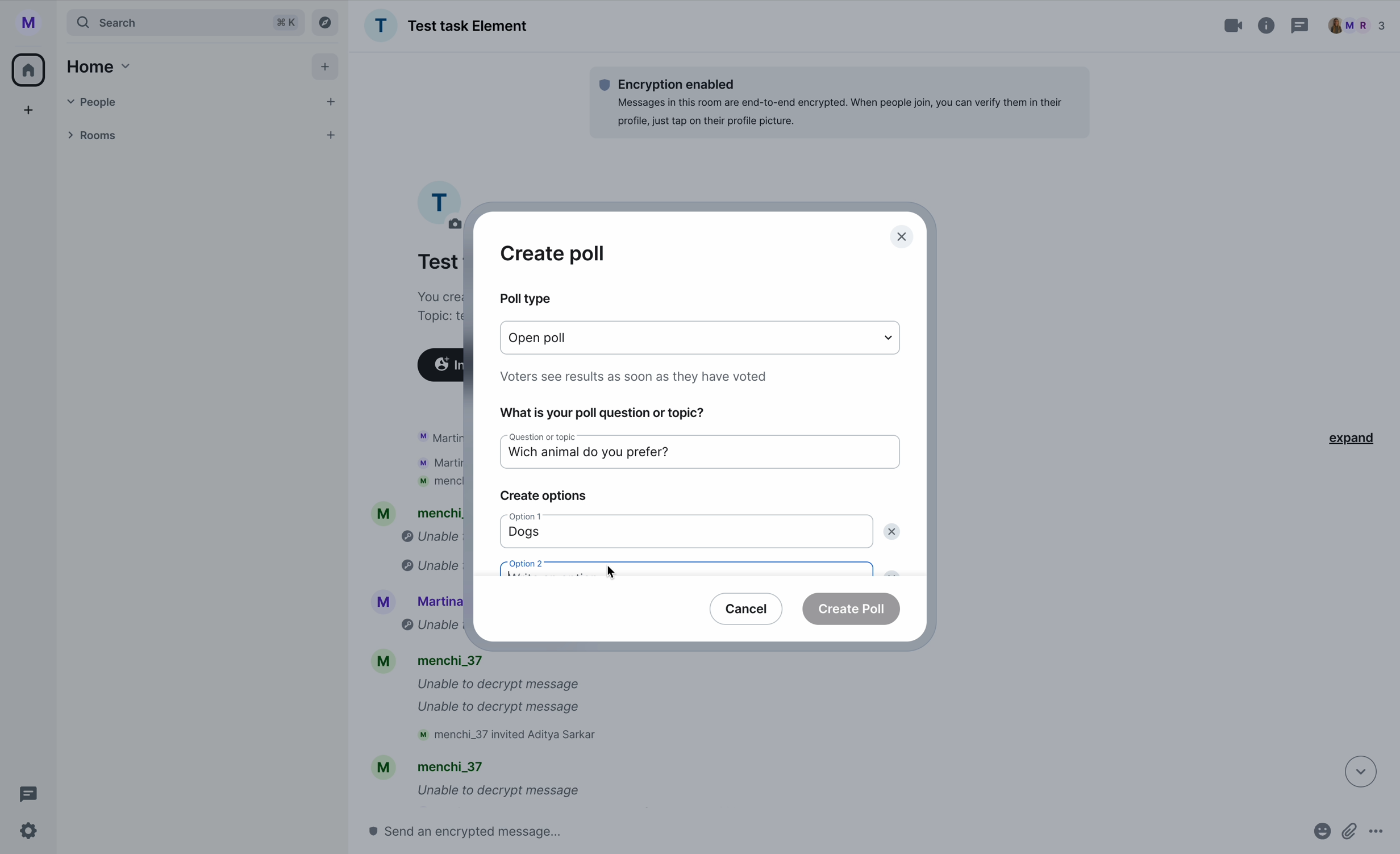 The height and width of the screenshot is (854, 1400). What do you see at coordinates (1382, 836) in the screenshot?
I see `more options` at bounding box center [1382, 836].